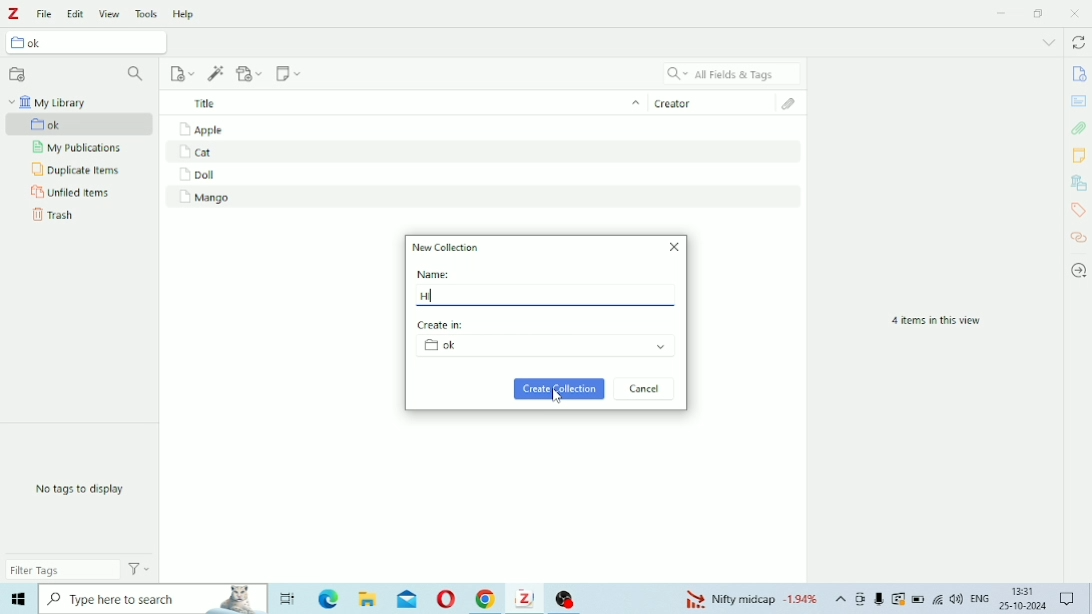 The width and height of the screenshot is (1092, 614). Describe the element at coordinates (1078, 210) in the screenshot. I see `Tags` at that location.